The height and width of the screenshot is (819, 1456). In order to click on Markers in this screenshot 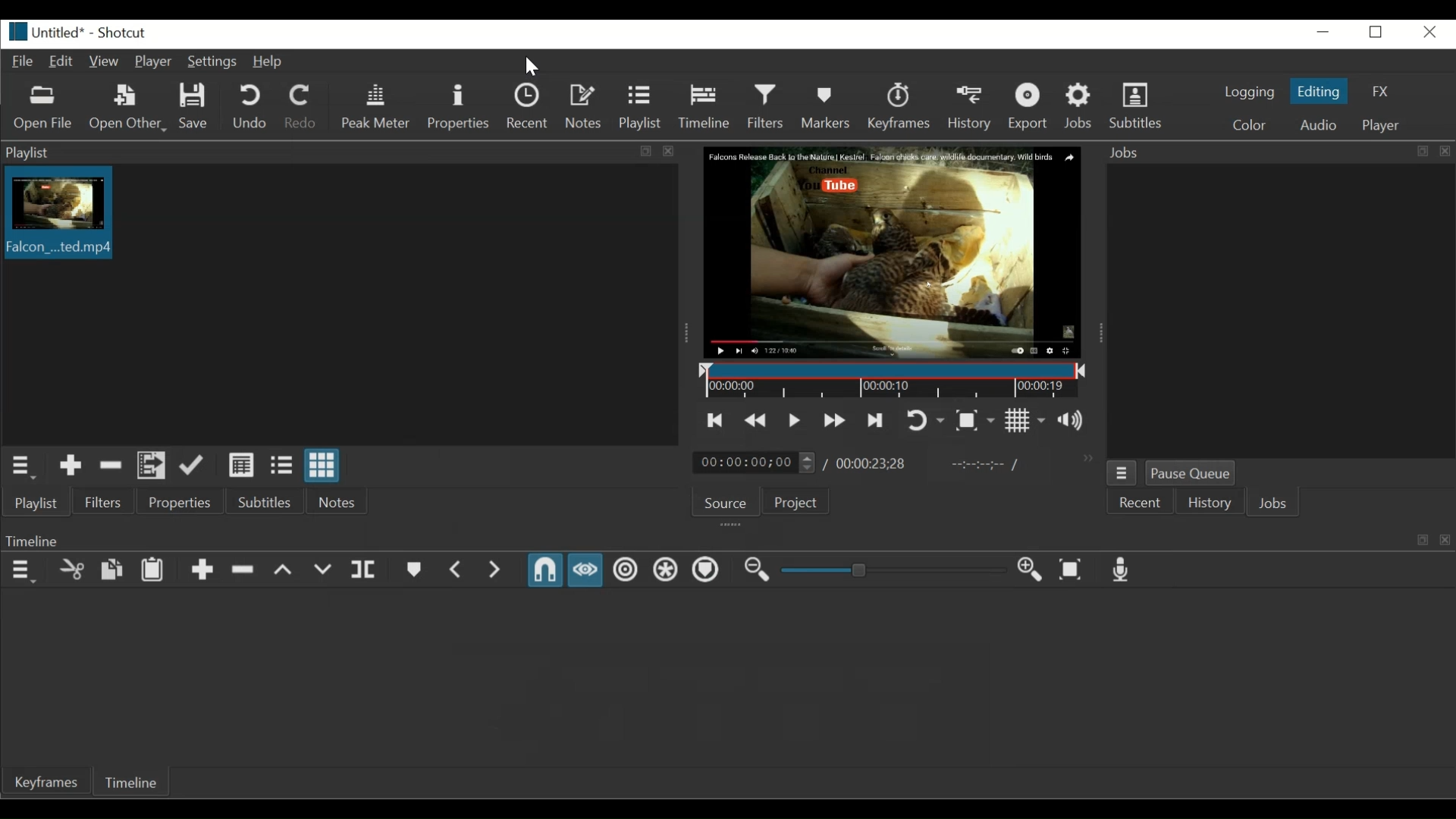, I will do `click(825, 105)`.